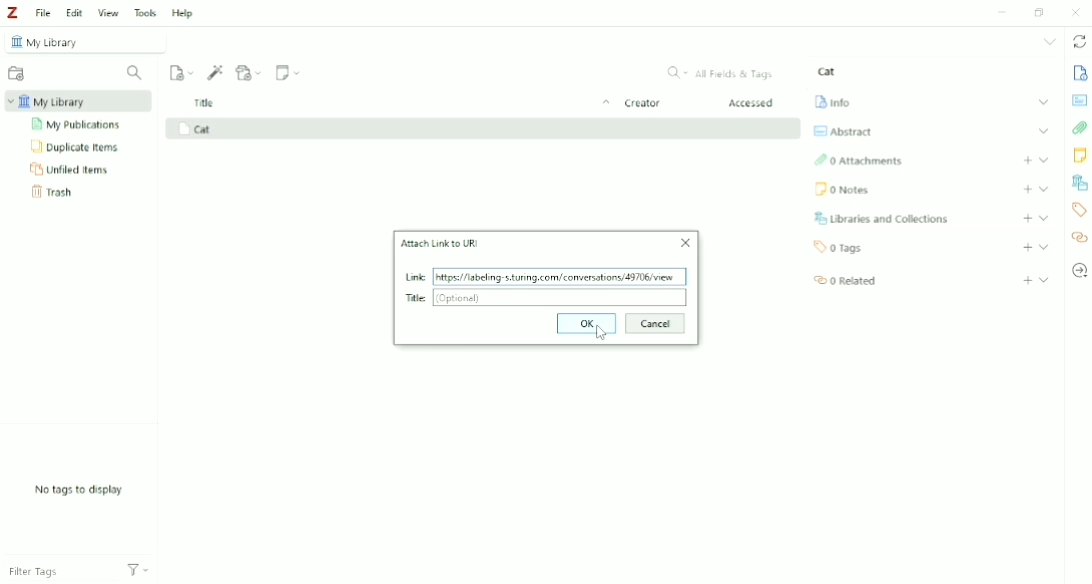  What do you see at coordinates (1075, 12) in the screenshot?
I see `Close` at bounding box center [1075, 12].